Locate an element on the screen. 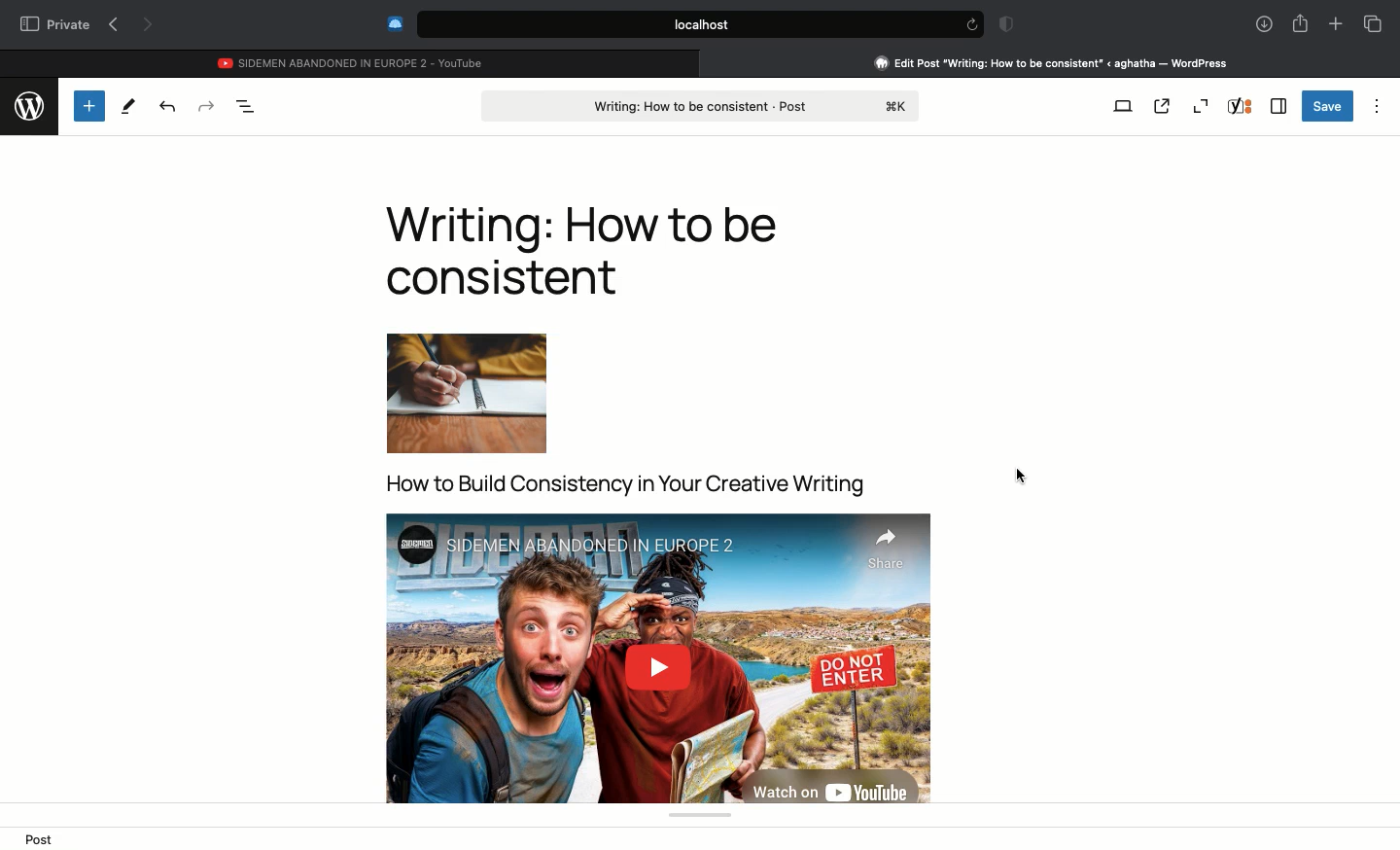 The image size is (1400, 850). Youtube is located at coordinates (353, 60).